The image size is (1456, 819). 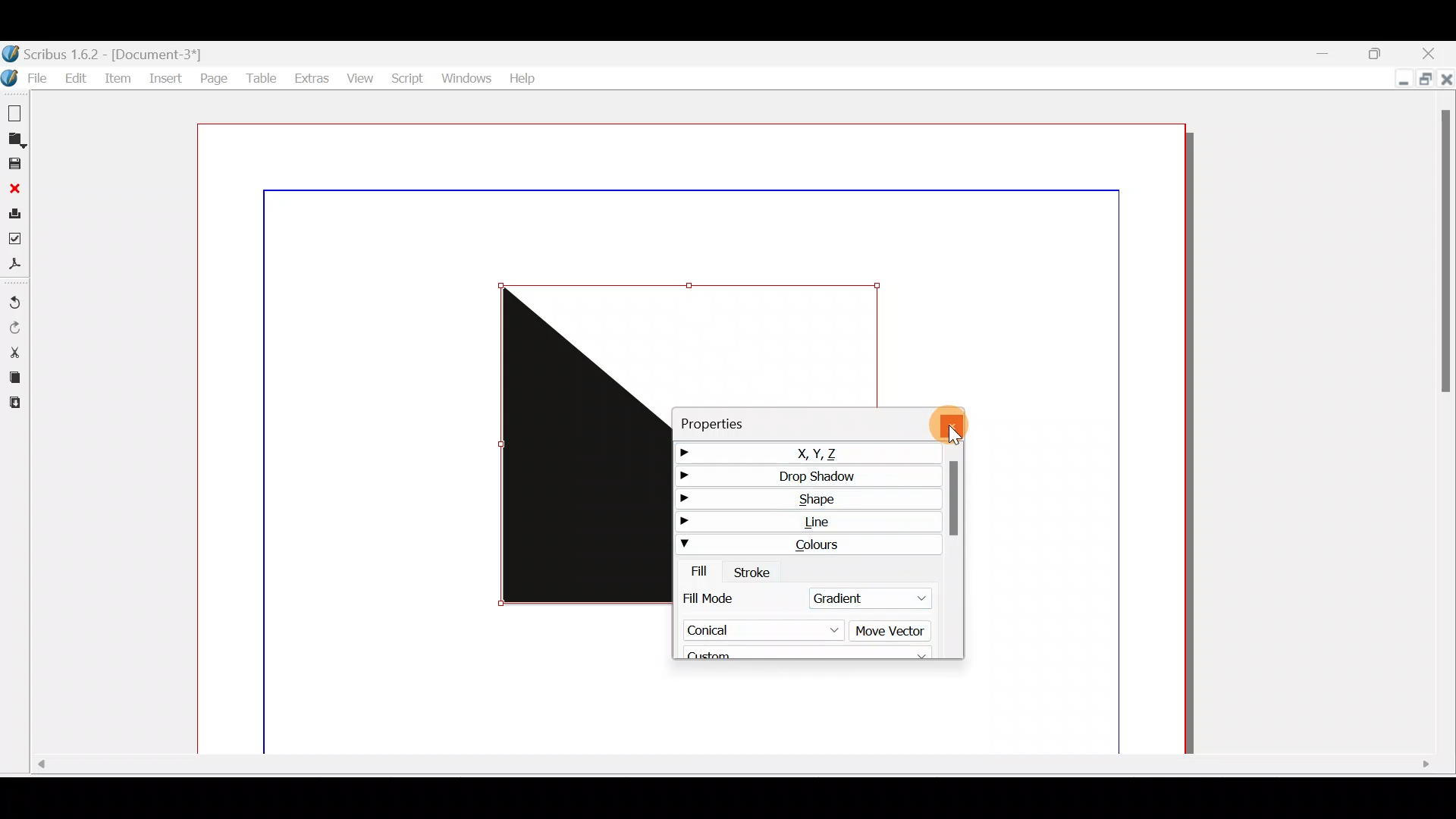 I want to click on Maximise, so click(x=1382, y=52).